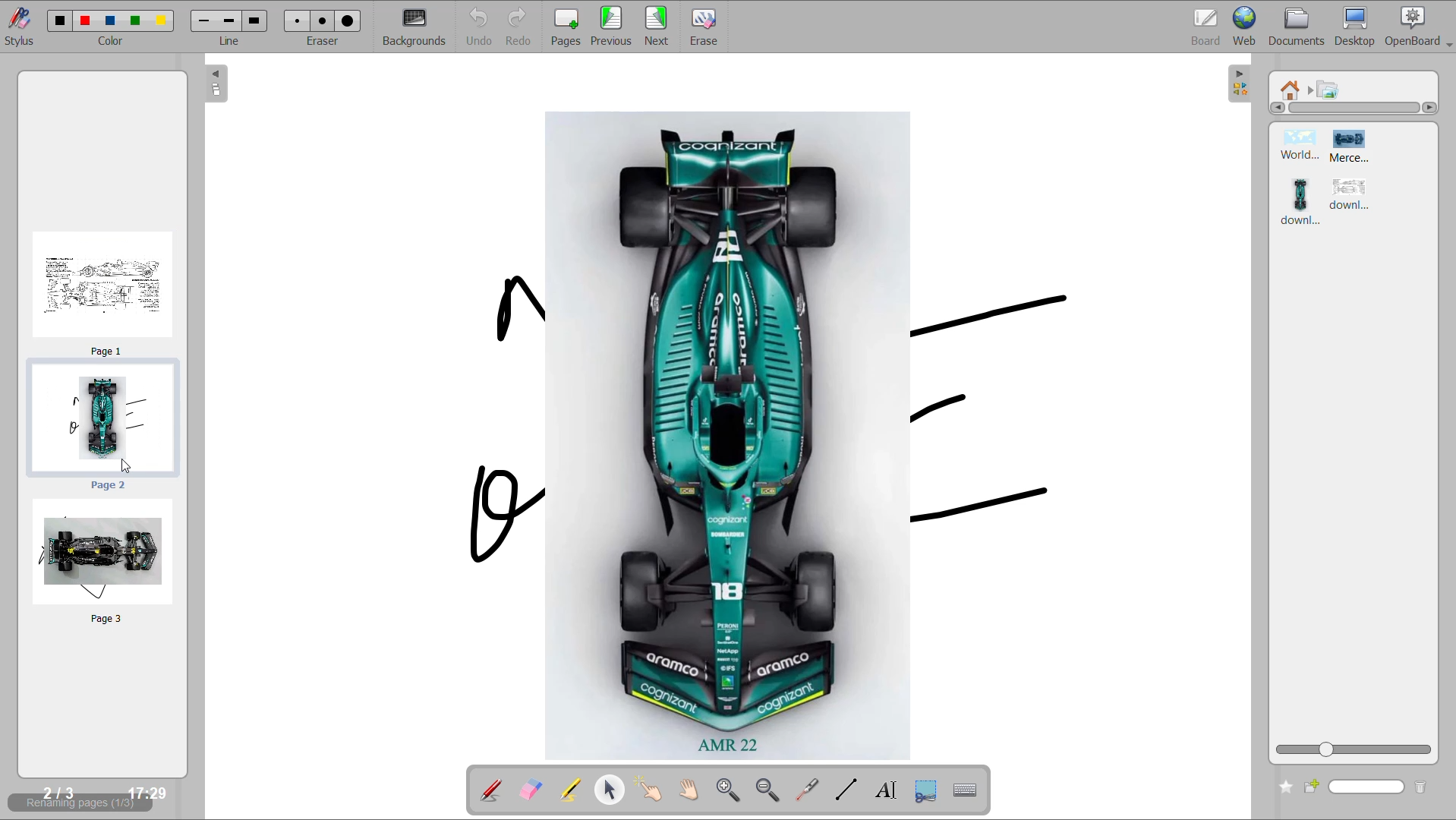 The image size is (1456, 820). What do you see at coordinates (1353, 748) in the screenshot?
I see `zoom slider` at bounding box center [1353, 748].